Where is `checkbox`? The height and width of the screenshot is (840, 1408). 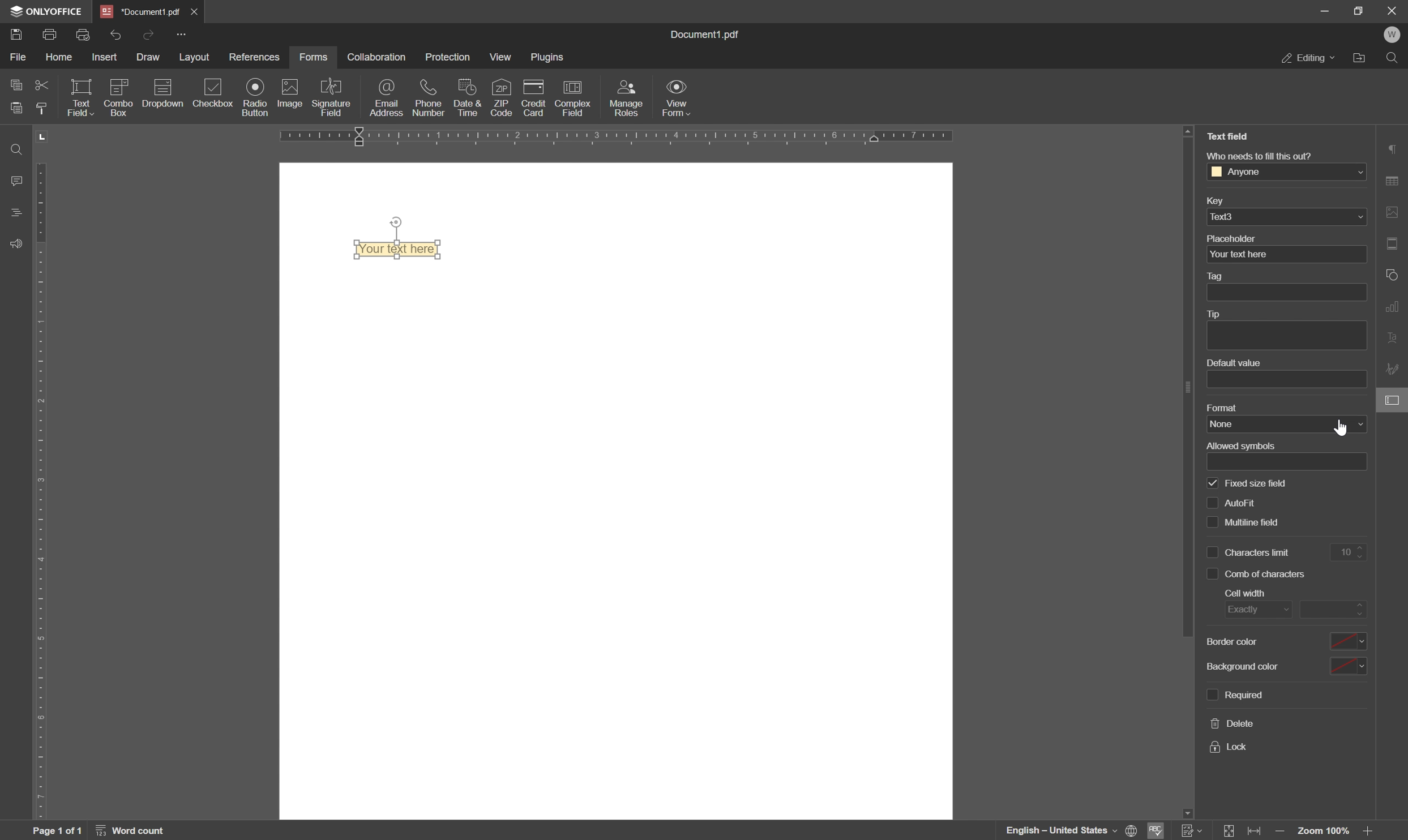
checkbox is located at coordinates (1210, 522).